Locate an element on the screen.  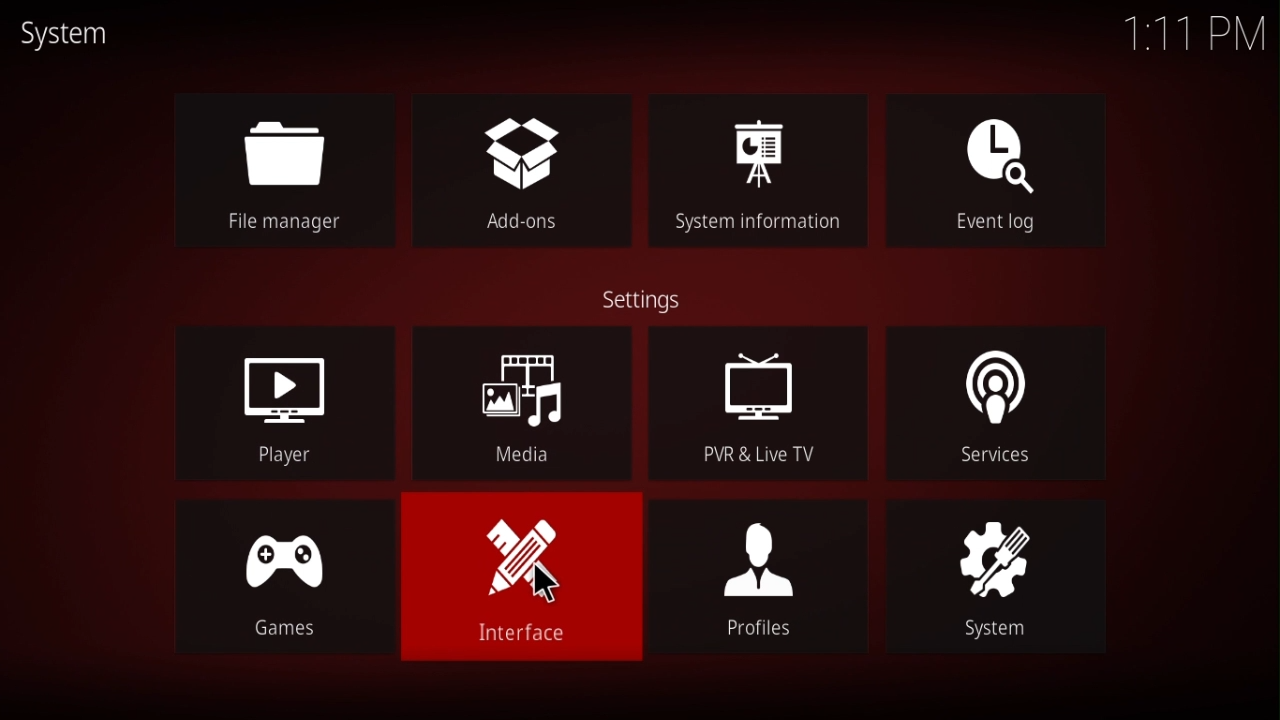
interface is located at coordinates (516, 583).